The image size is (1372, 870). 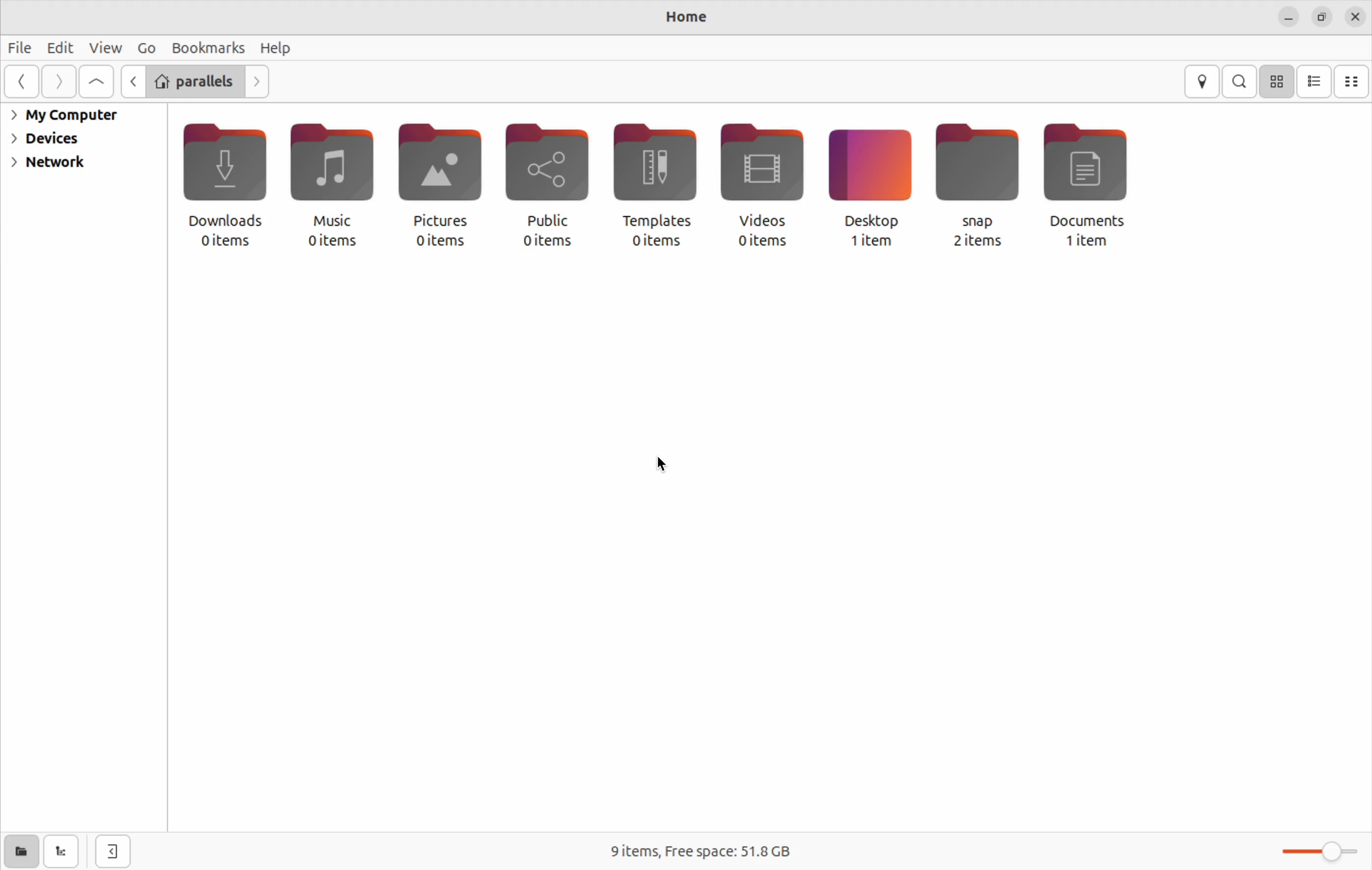 I want to click on go back wards, so click(x=24, y=80).